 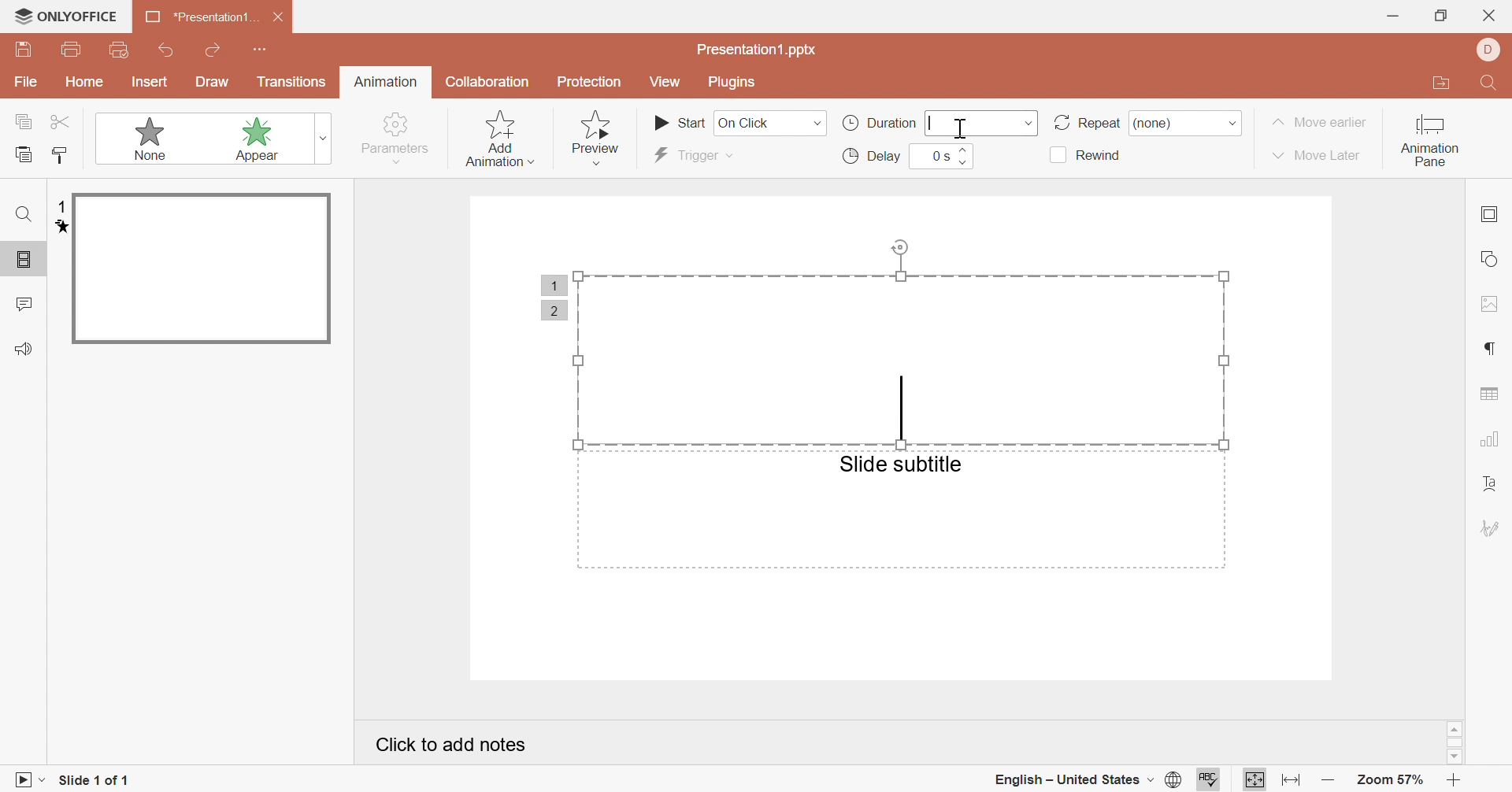 What do you see at coordinates (1255, 782) in the screenshot?
I see `fit to page` at bounding box center [1255, 782].